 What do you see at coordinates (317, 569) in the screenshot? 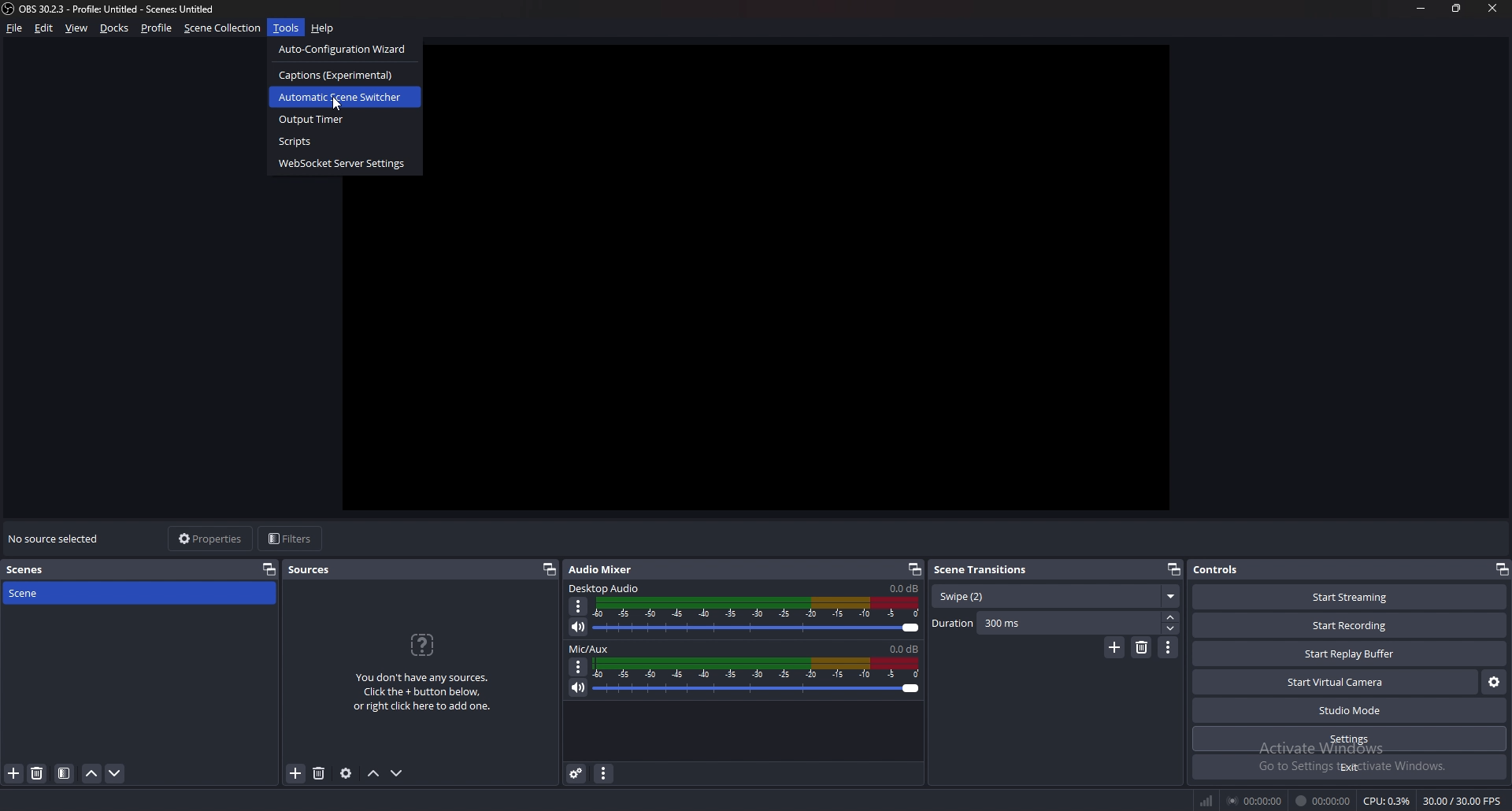
I see `sources` at bounding box center [317, 569].